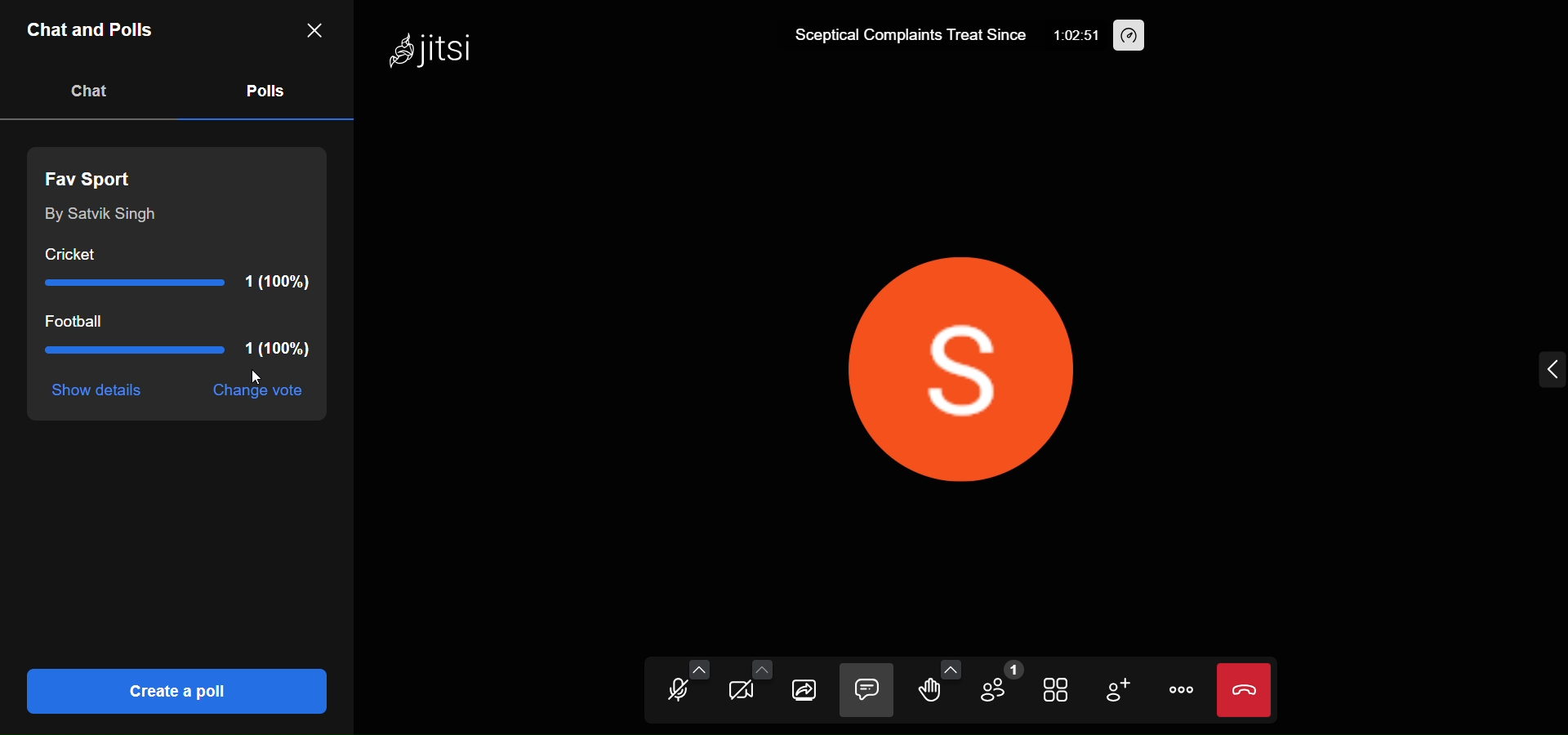 The width and height of the screenshot is (1568, 735). I want to click on show details, so click(100, 392).